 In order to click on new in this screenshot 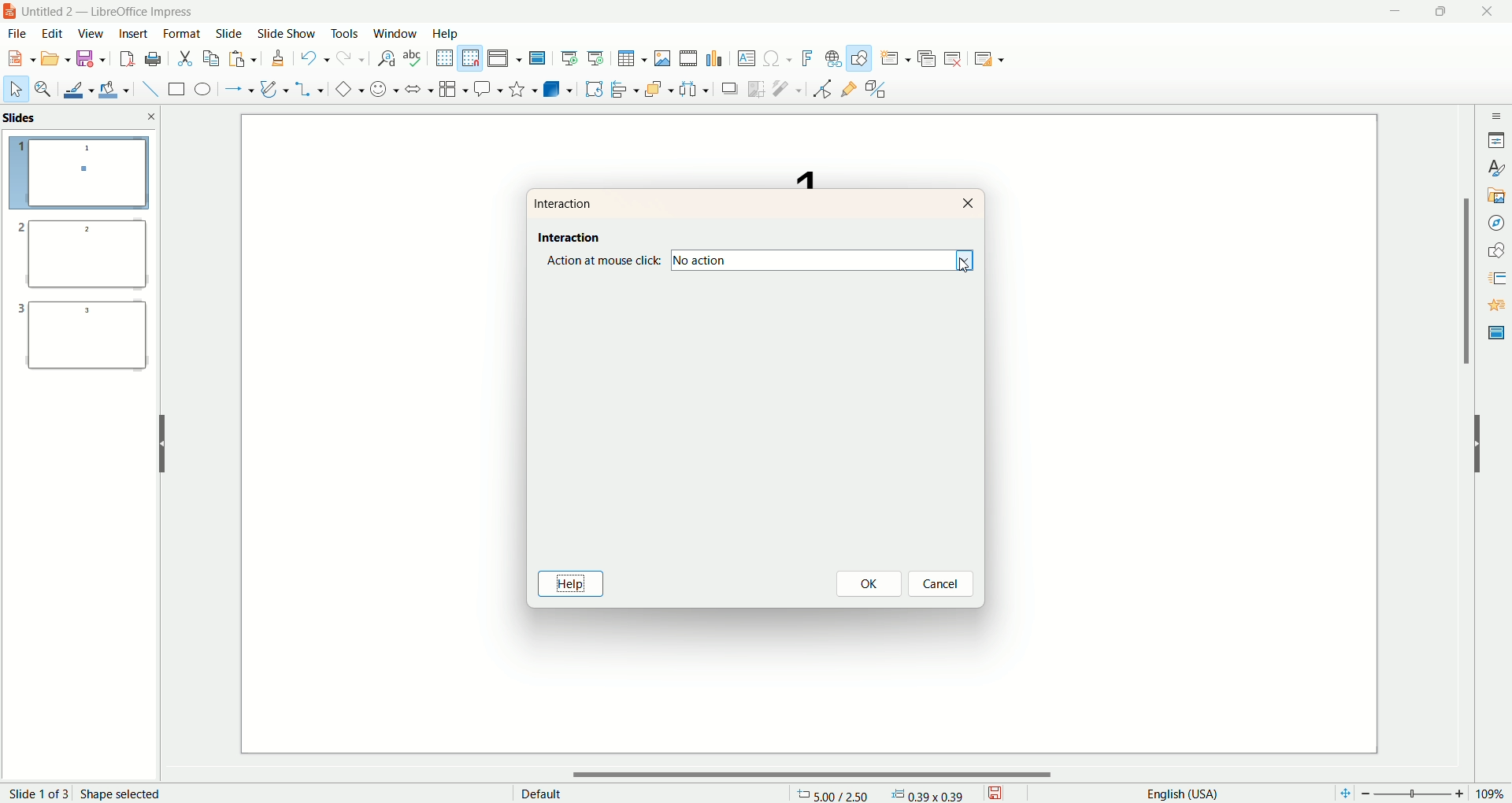, I will do `click(21, 57)`.